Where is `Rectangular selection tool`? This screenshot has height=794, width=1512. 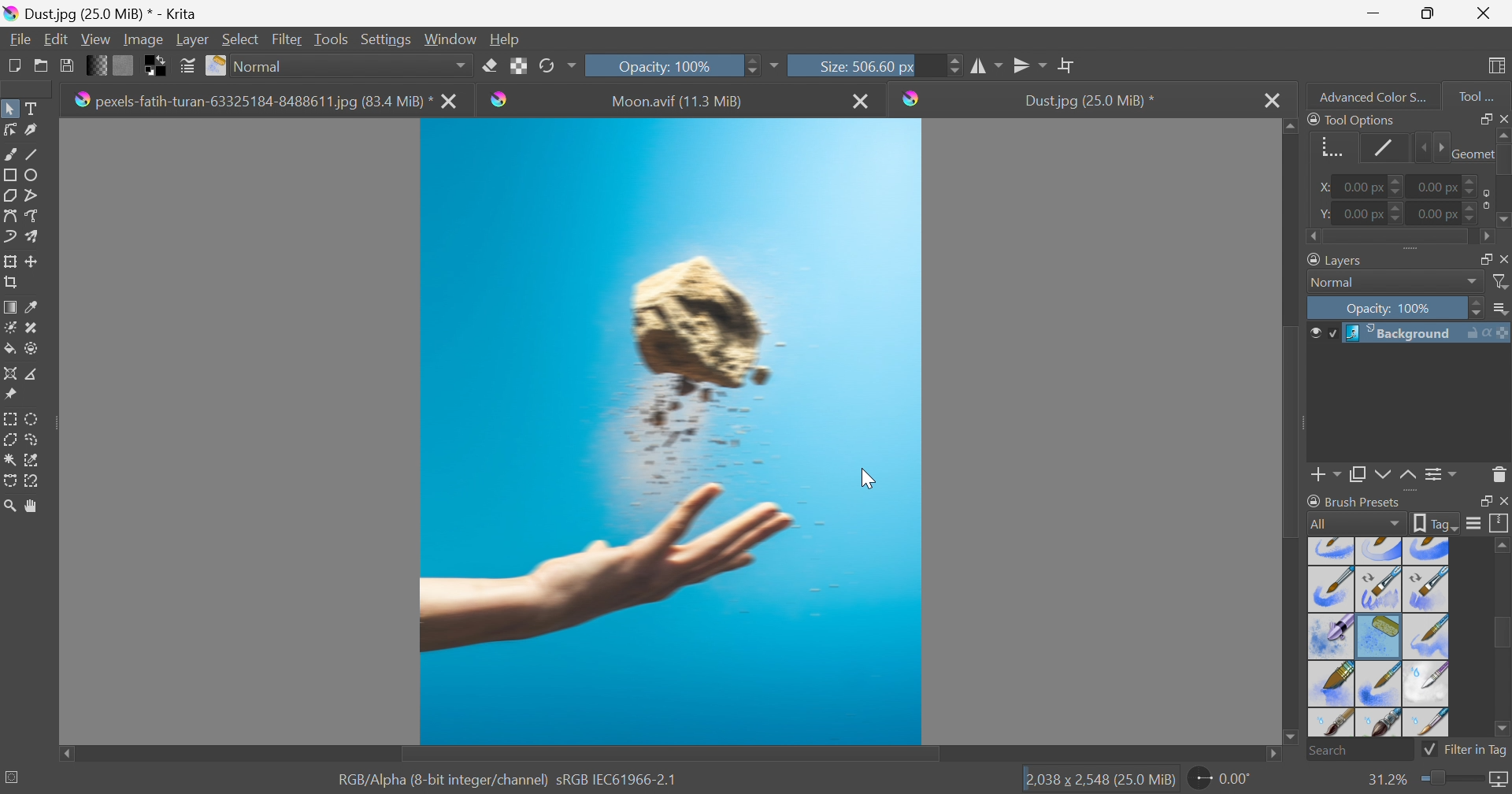 Rectangular selection tool is located at coordinates (12, 416).